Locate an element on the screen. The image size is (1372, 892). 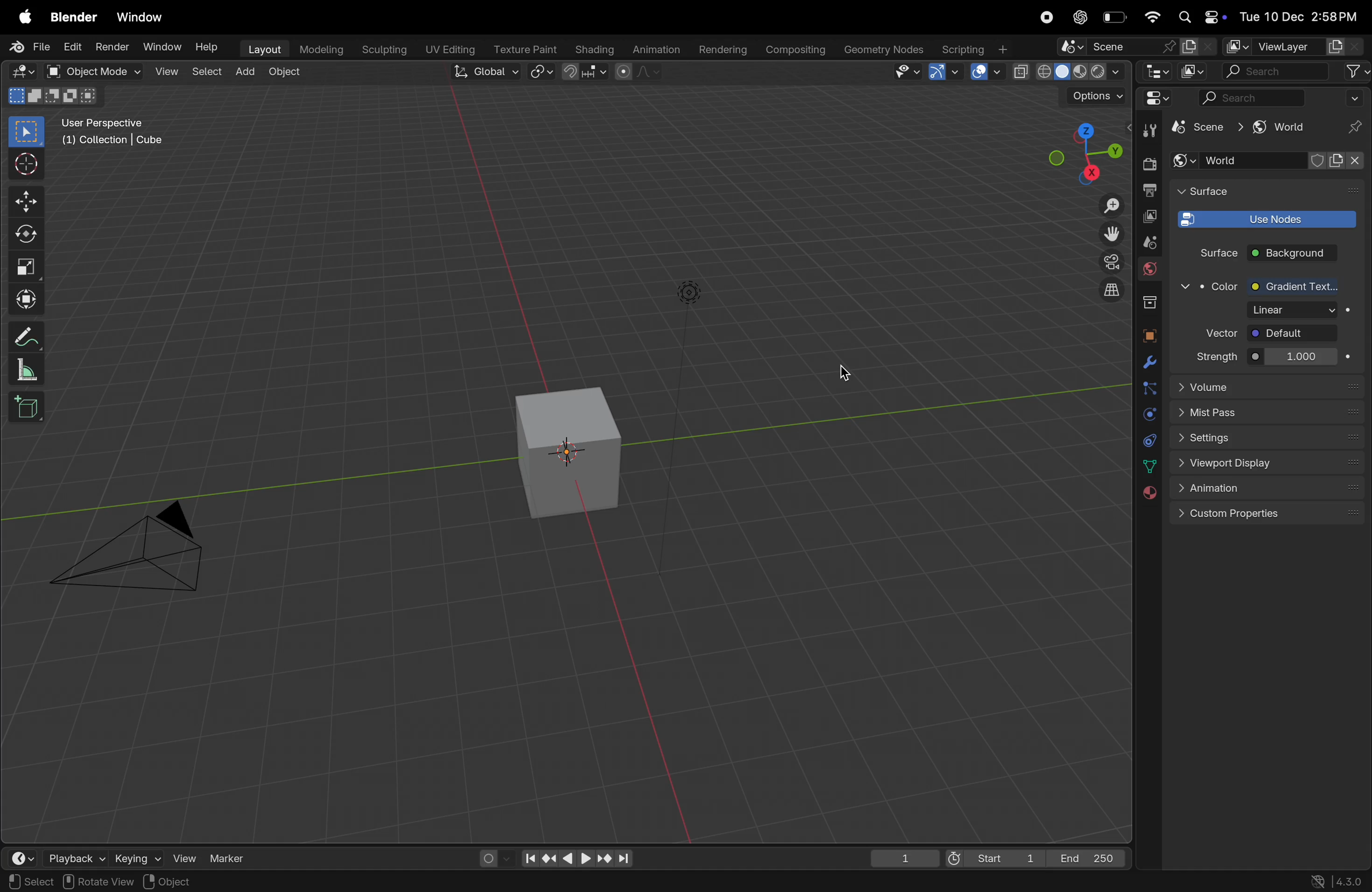
move is located at coordinates (26, 199).